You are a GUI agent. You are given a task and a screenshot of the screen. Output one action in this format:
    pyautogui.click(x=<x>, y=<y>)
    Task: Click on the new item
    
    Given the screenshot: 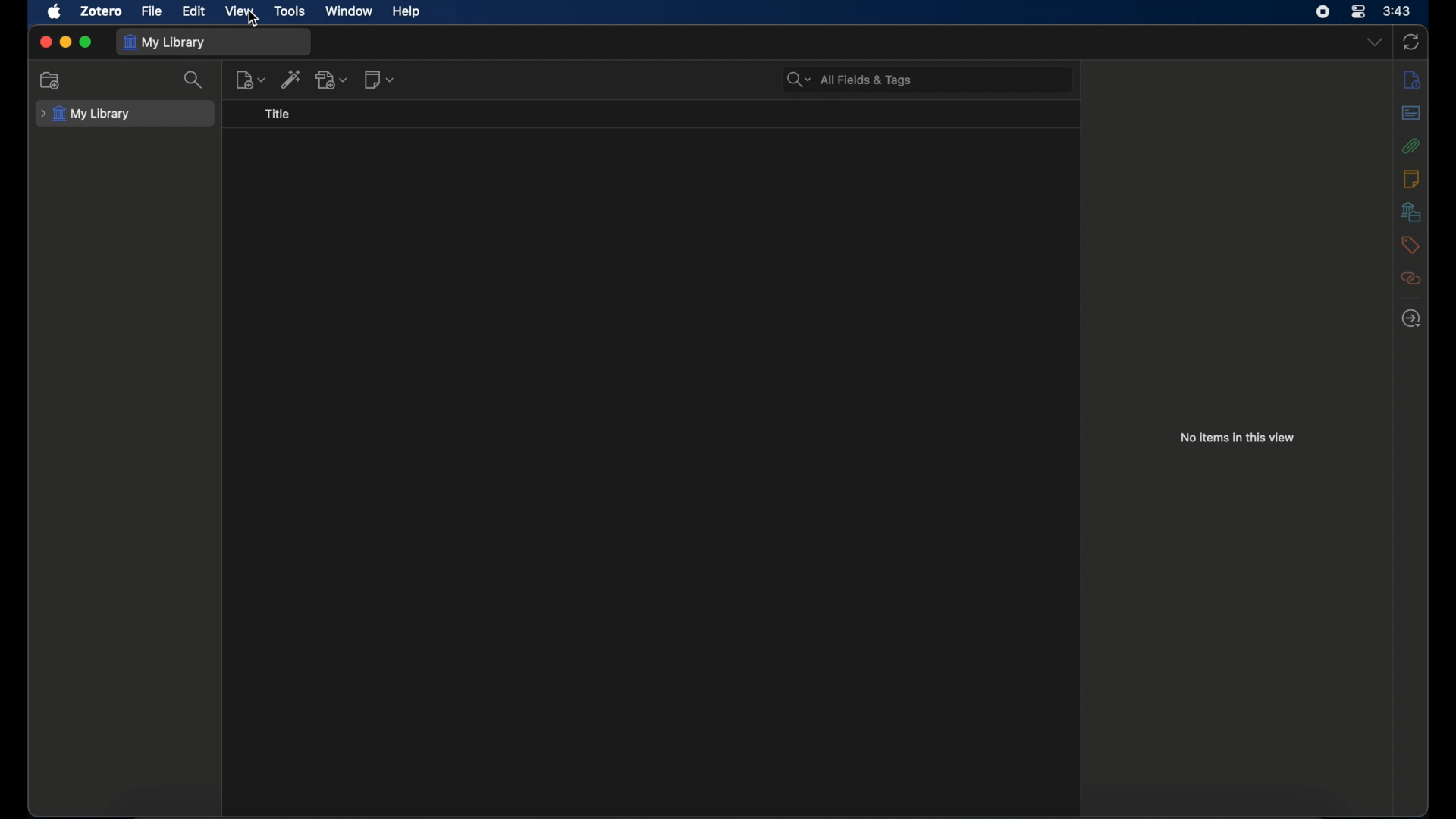 What is the action you would take?
    pyautogui.click(x=250, y=79)
    